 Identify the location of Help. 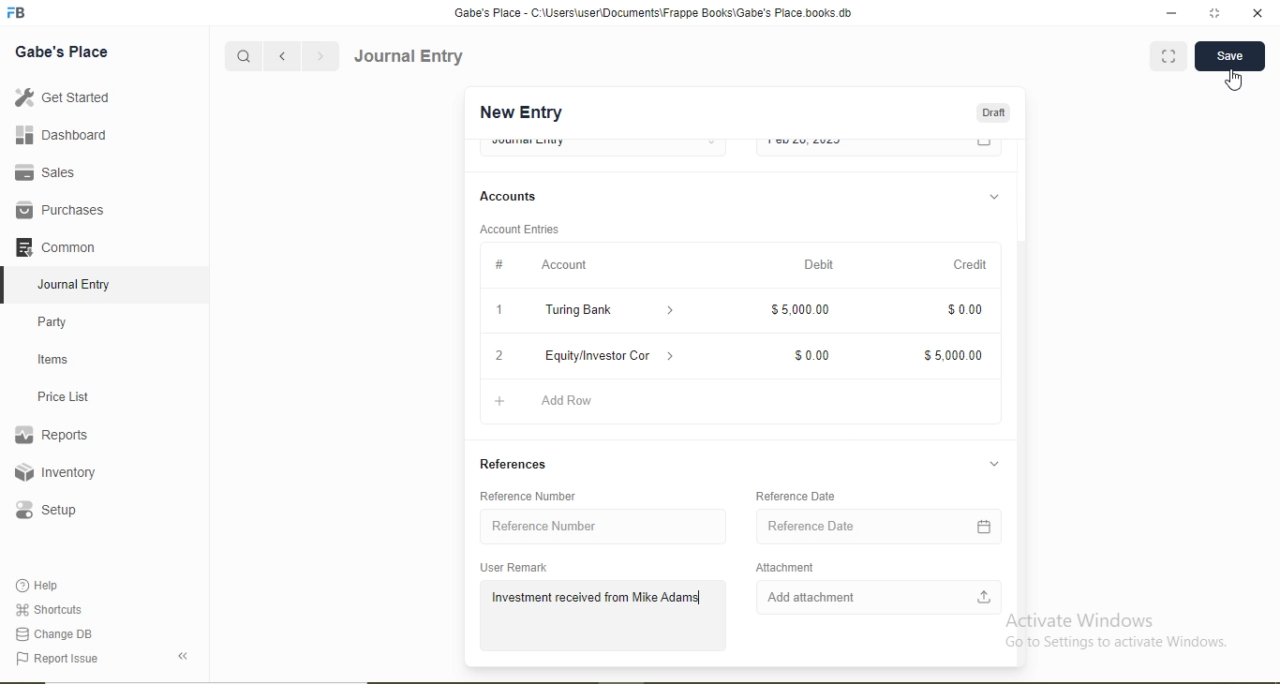
(39, 585).